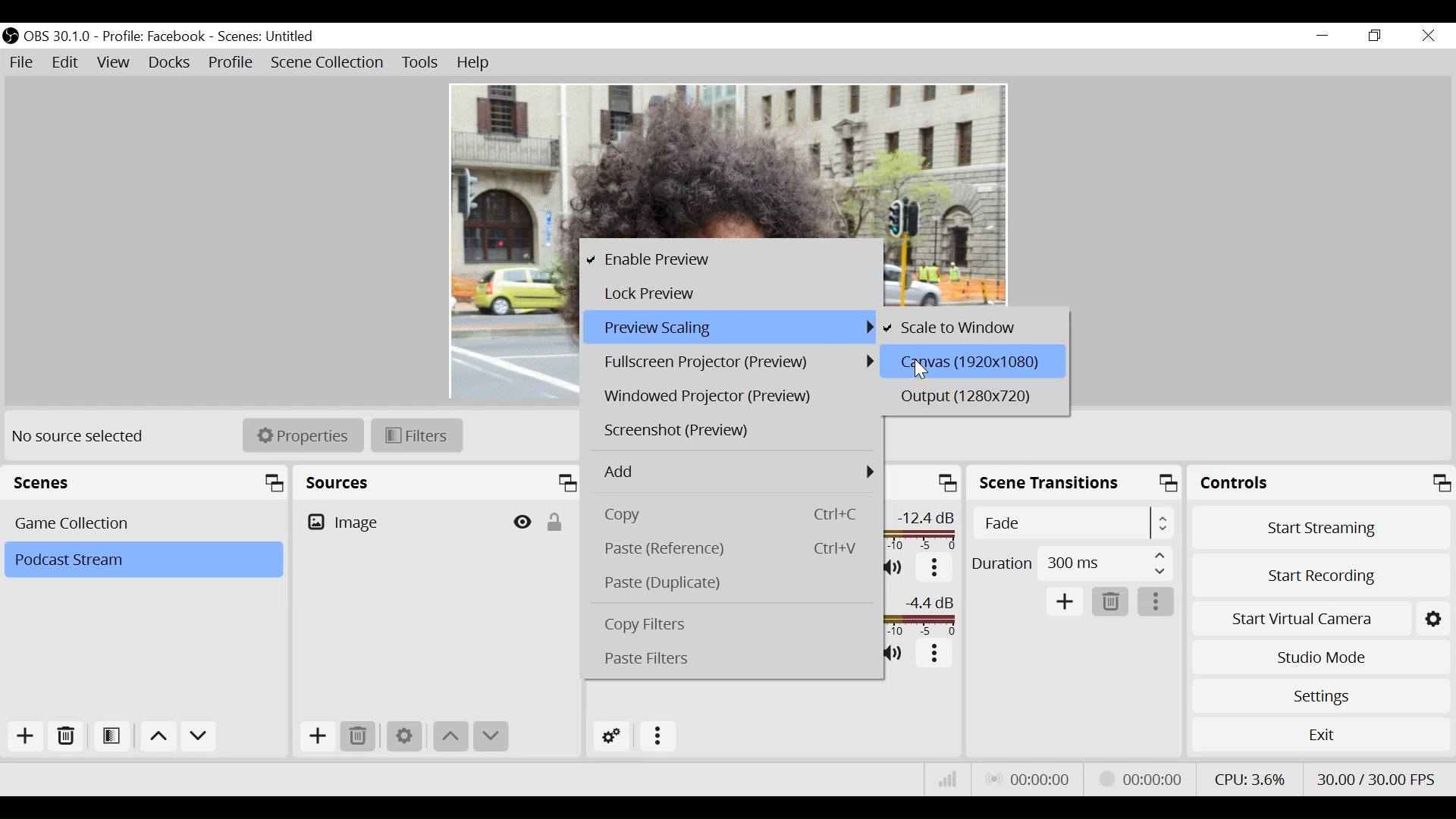 The height and width of the screenshot is (819, 1456). I want to click on Lock Preview, so click(730, 295).